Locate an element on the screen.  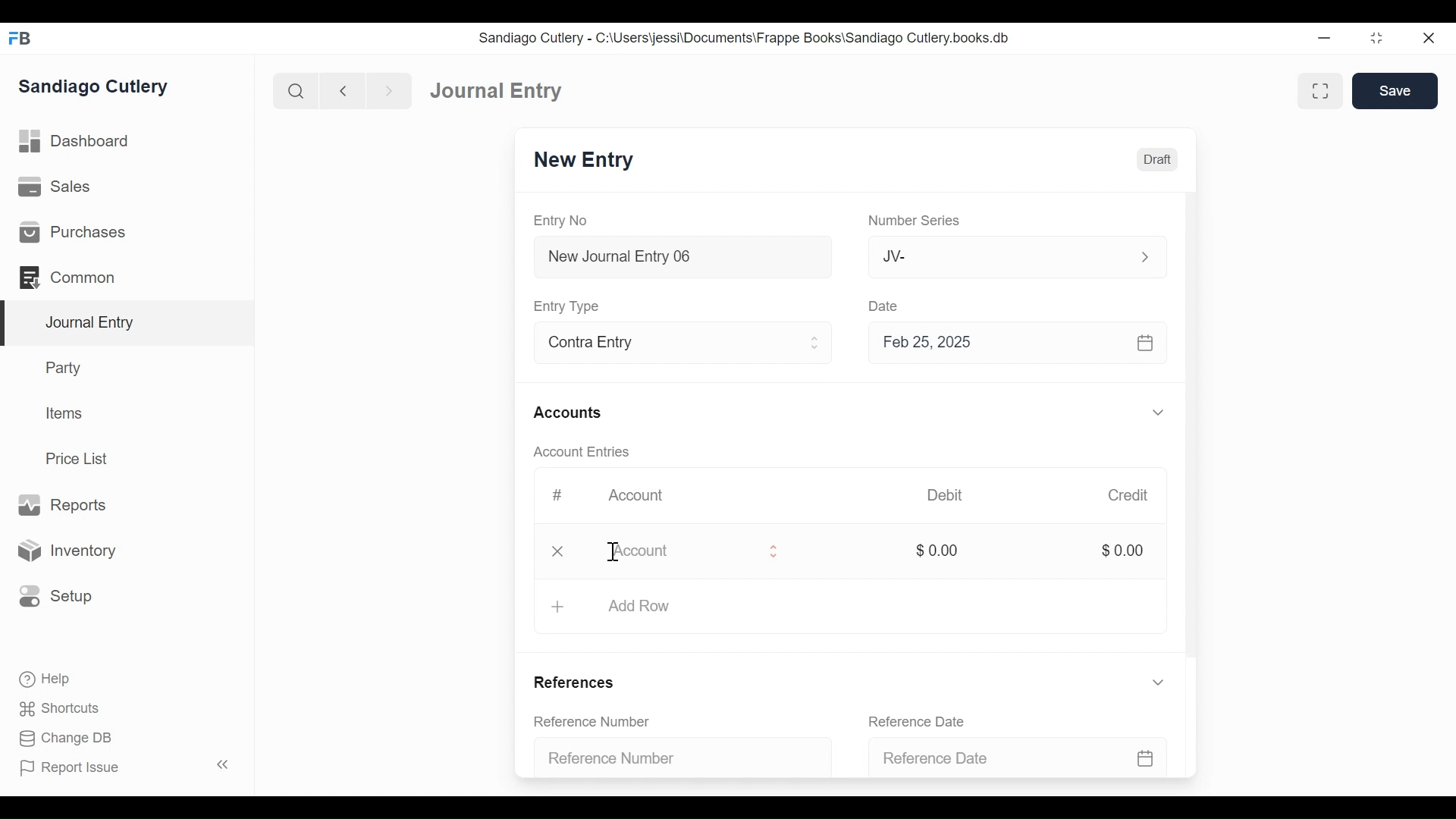
New Entry is located at coordinates (584, 160).